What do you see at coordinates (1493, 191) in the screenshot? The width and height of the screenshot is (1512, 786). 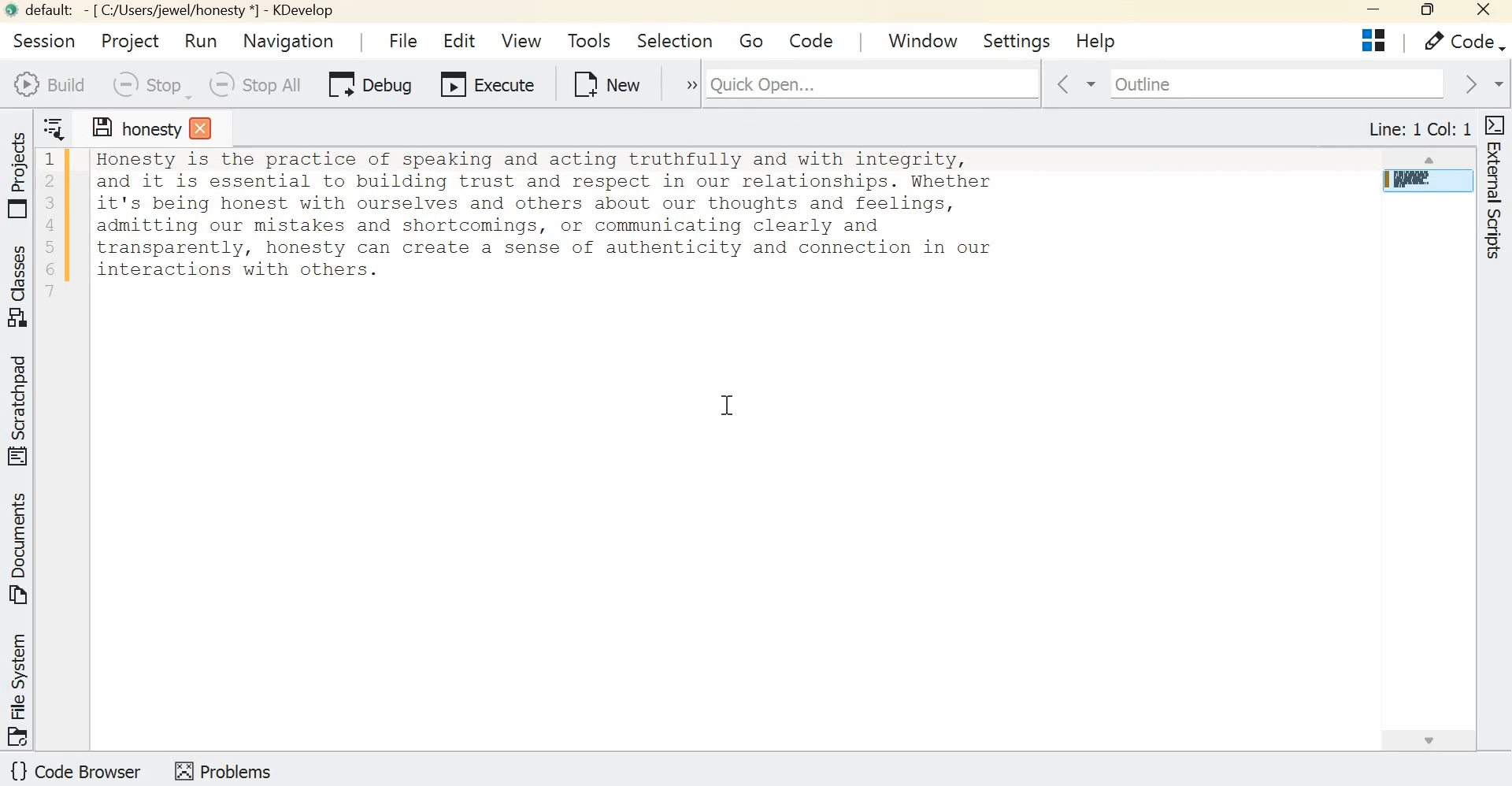 I see `Toggle 'External scripts' tool view` at bounding box center [1493, 191].